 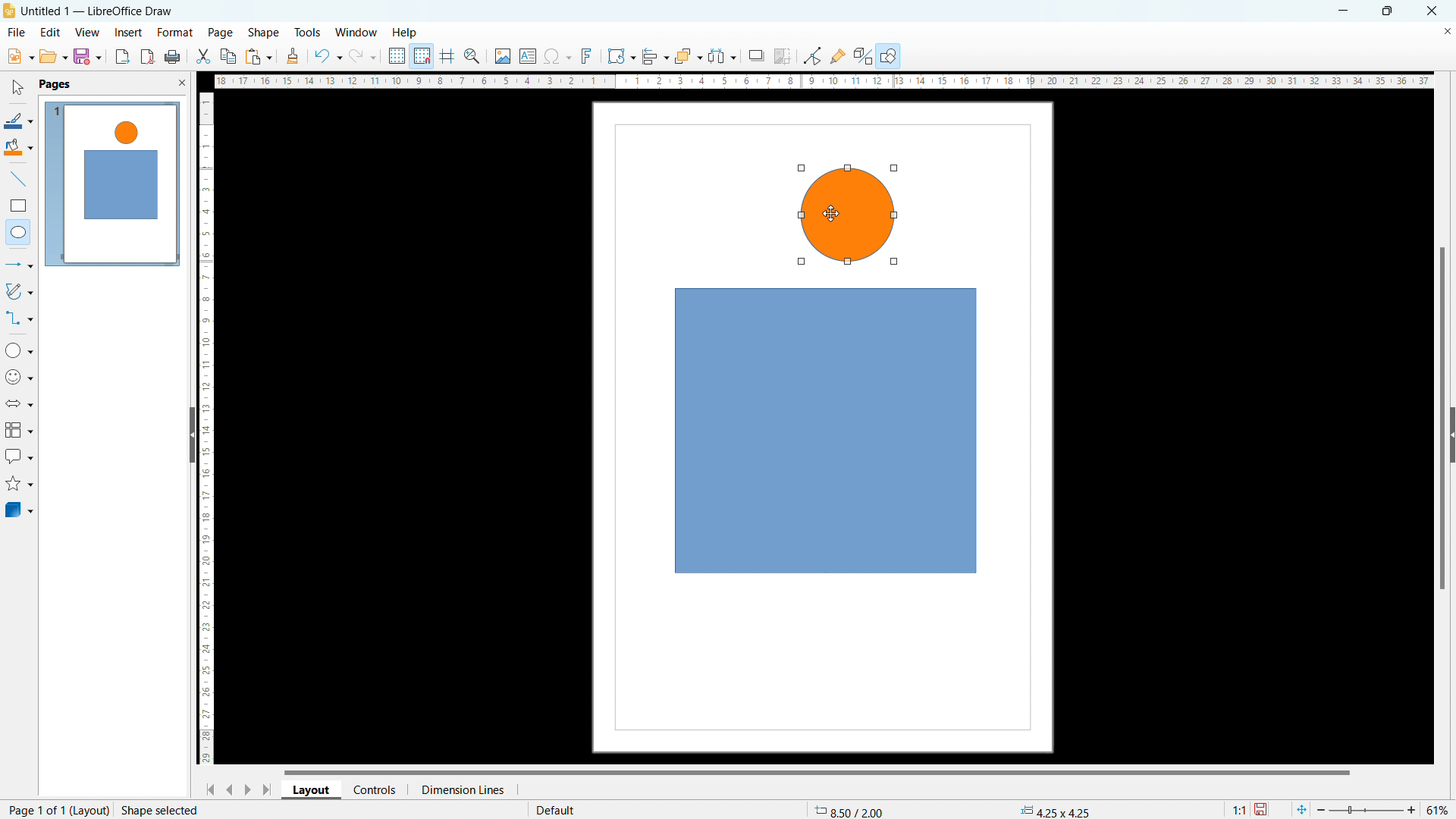 I want to click on insert text box, so click(x=529, y=55).